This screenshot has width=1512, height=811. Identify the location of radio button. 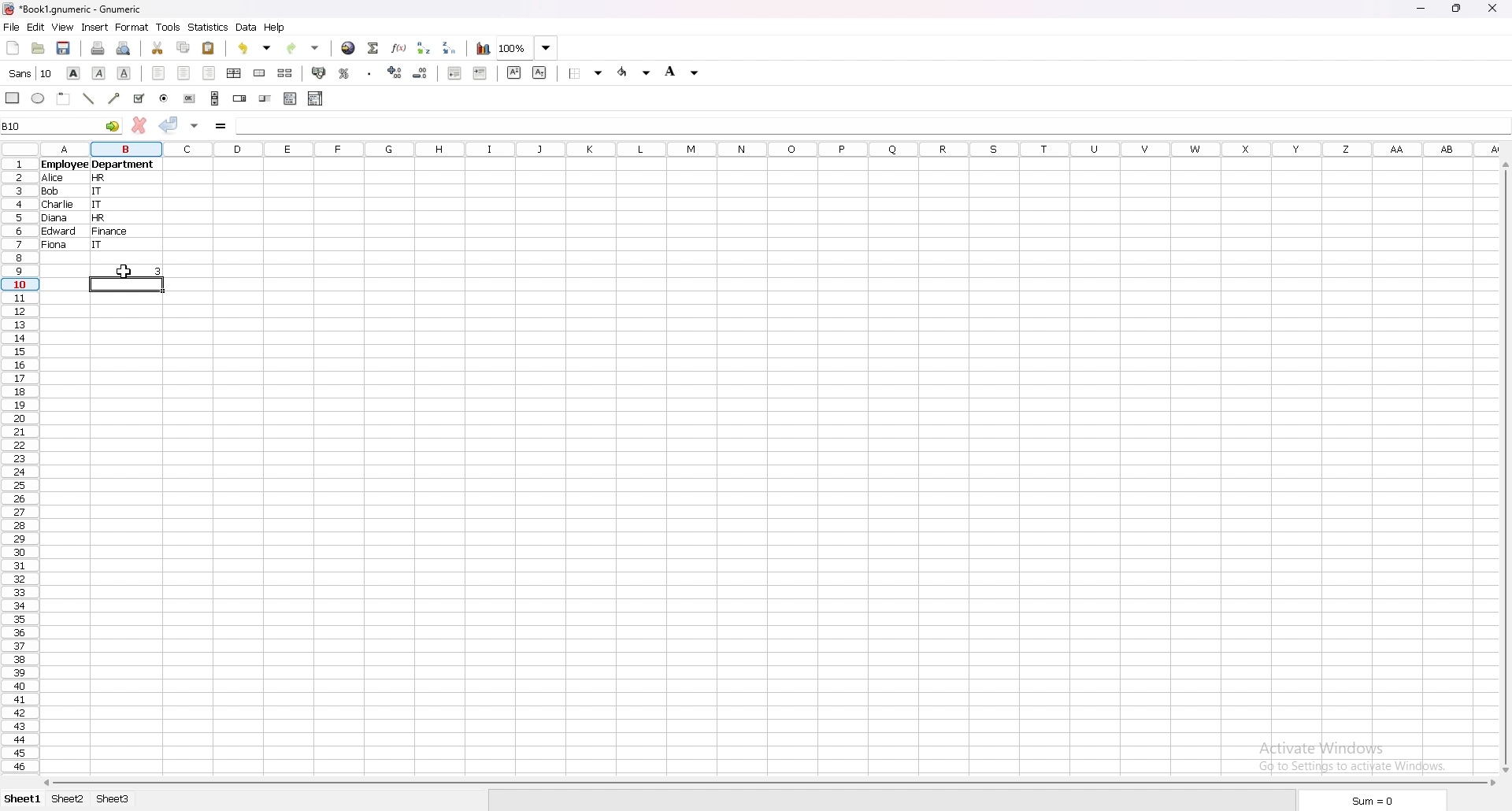
(164, 98).